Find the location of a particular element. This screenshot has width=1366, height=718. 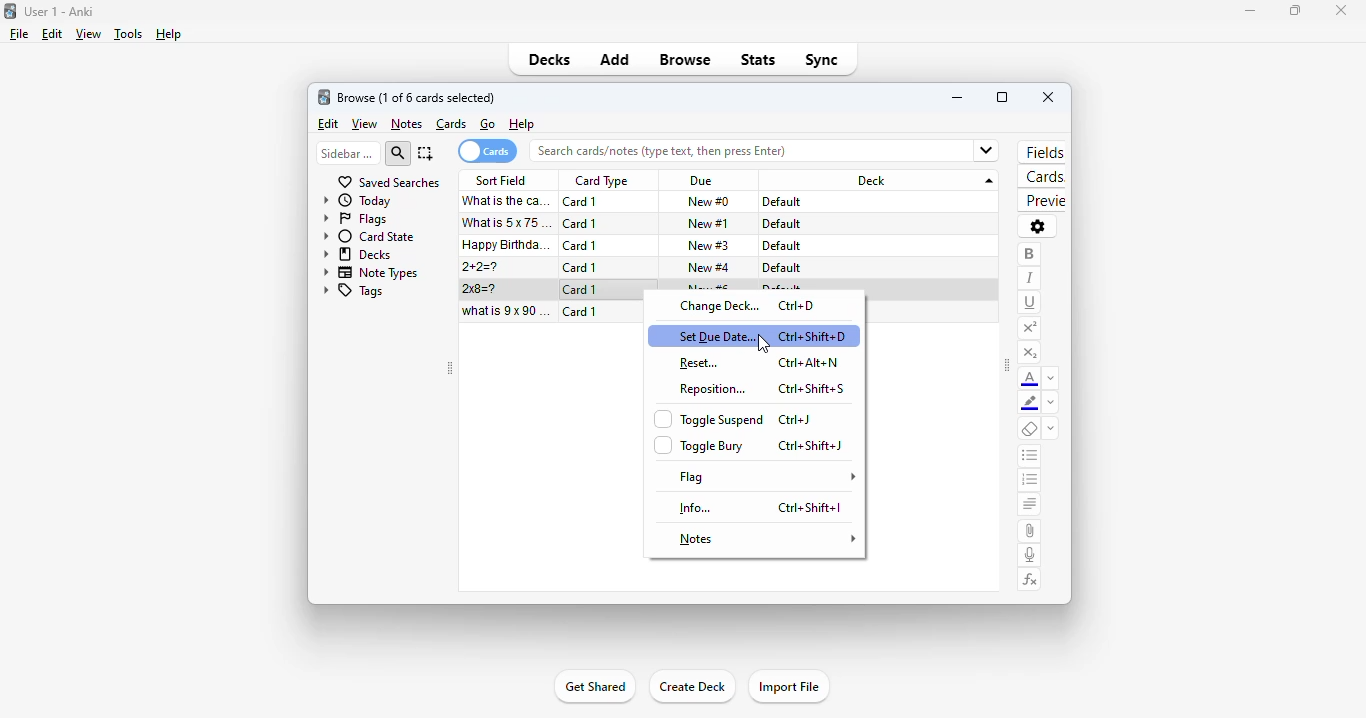

cards is located at coordinates (452, 124).